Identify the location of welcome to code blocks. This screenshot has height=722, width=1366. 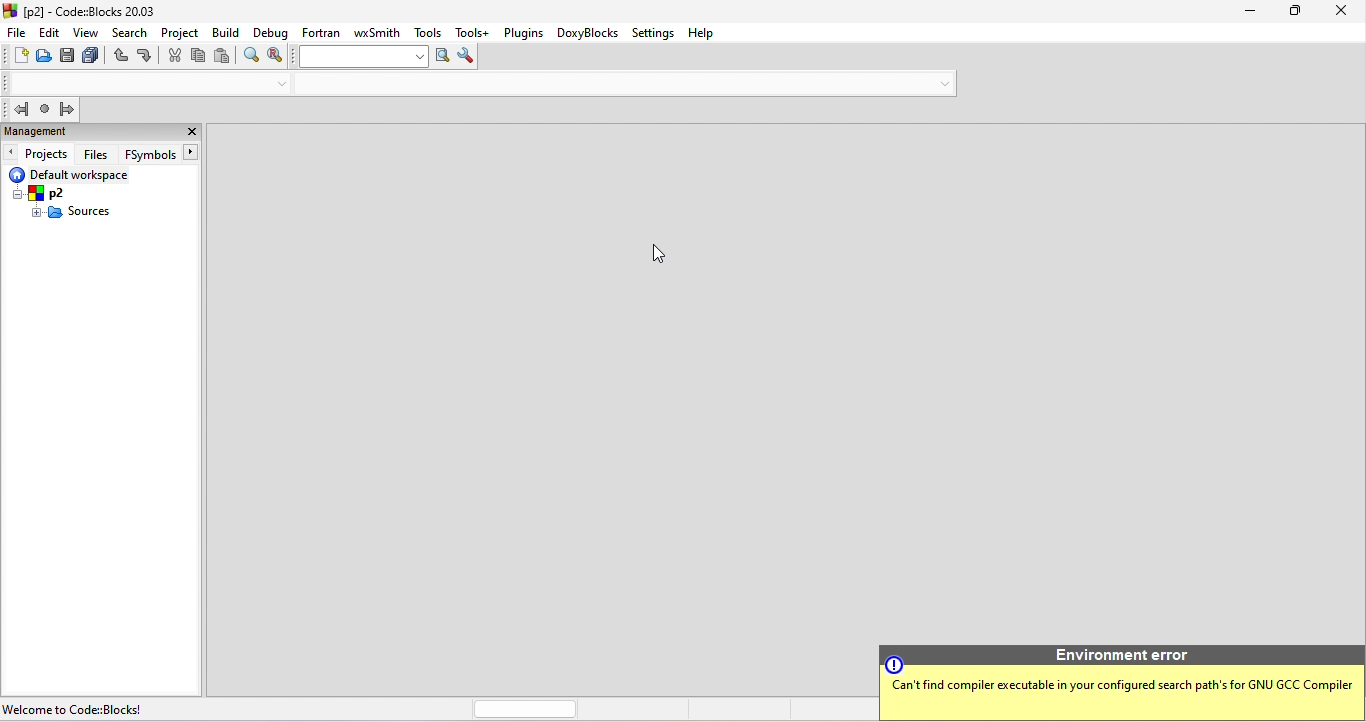
(97, 708).